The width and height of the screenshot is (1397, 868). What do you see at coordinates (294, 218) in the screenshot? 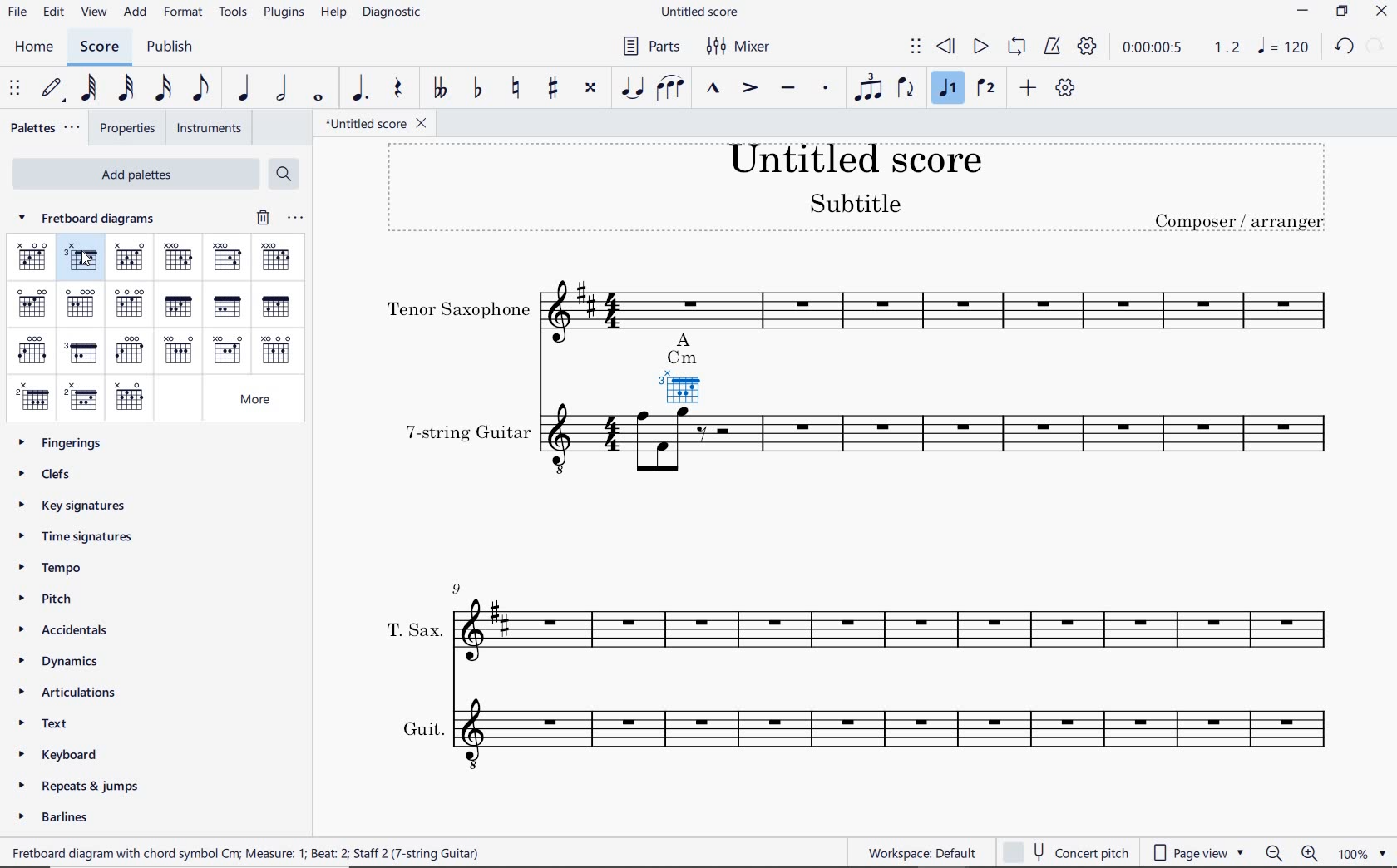
I see `ellipsis` at bounding box center [294, 218].